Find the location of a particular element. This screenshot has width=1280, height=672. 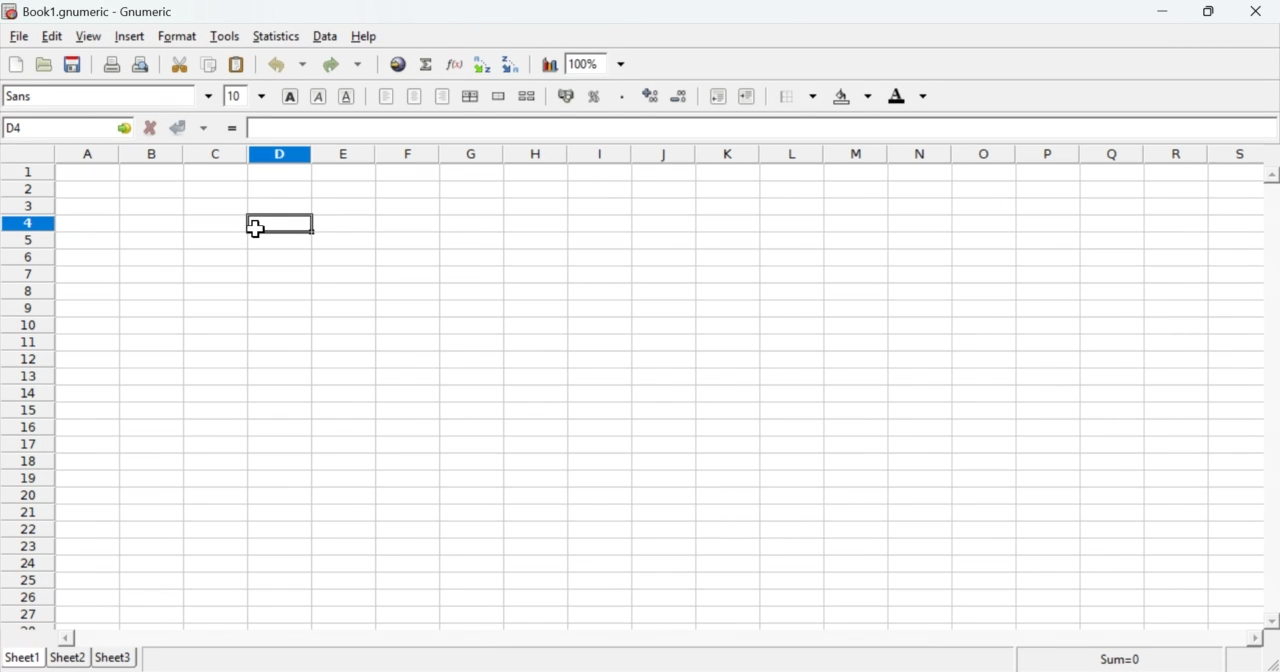

Italics is located at coordinates (318, 98).